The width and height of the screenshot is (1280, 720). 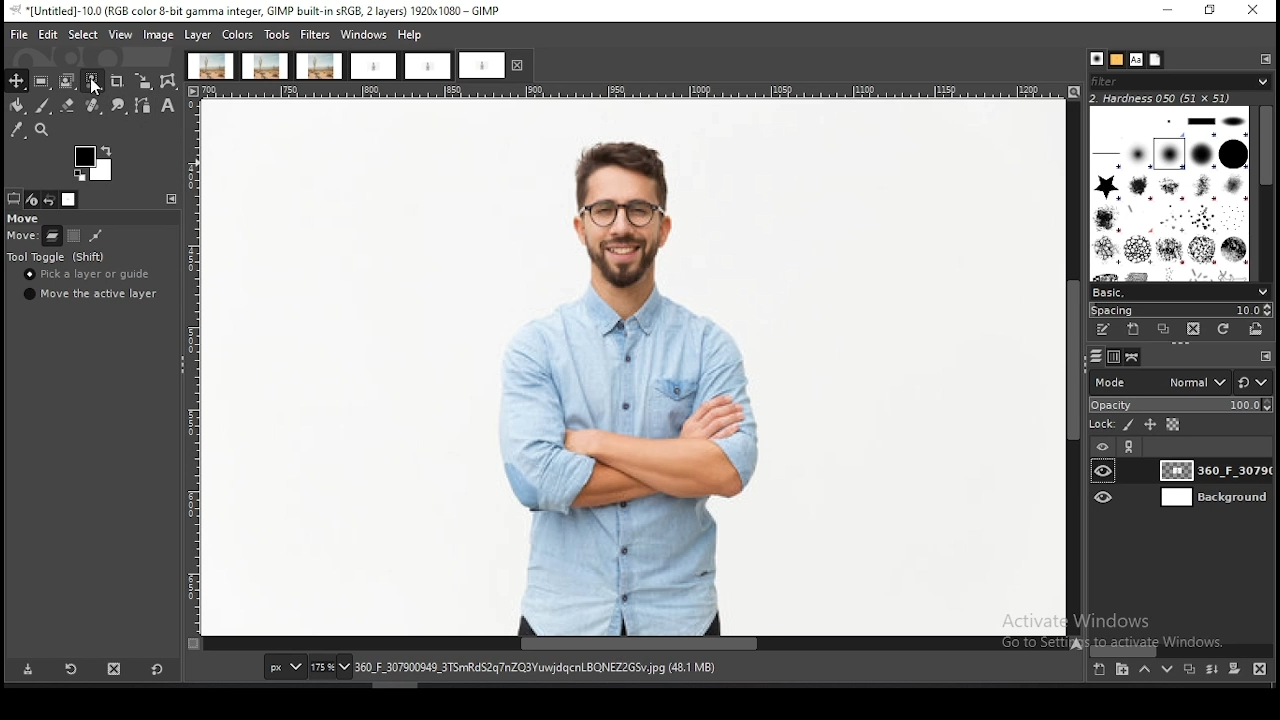 I want to click on layer visibility on/off, so click(x=1105, y=498).